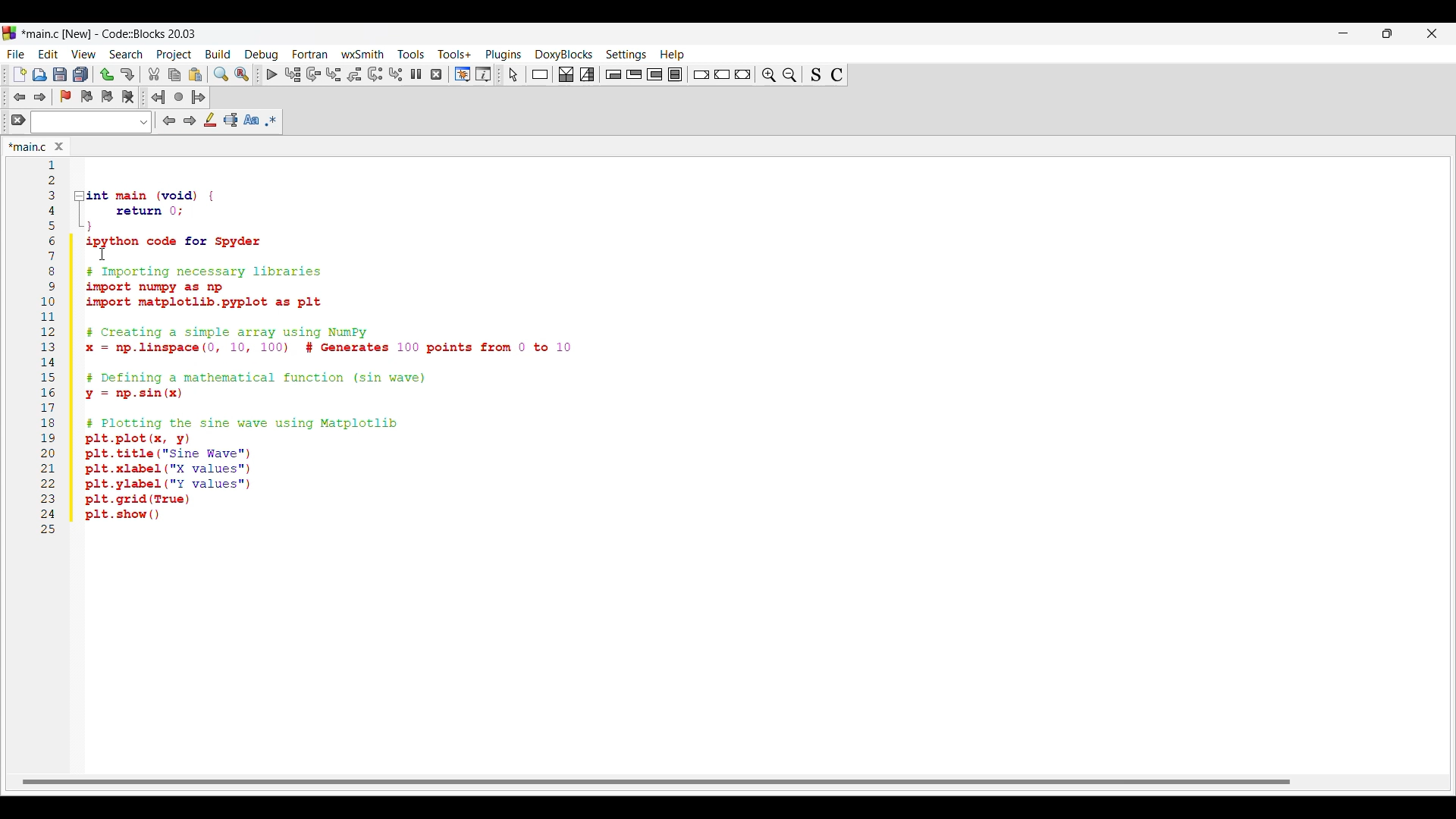 Image resolution: width=1456 pixels, height=819 pixels. What do you see at coordinates (39, 97) in the screenshot?
I see `Toggle forward` at bounding box center [39, 97].